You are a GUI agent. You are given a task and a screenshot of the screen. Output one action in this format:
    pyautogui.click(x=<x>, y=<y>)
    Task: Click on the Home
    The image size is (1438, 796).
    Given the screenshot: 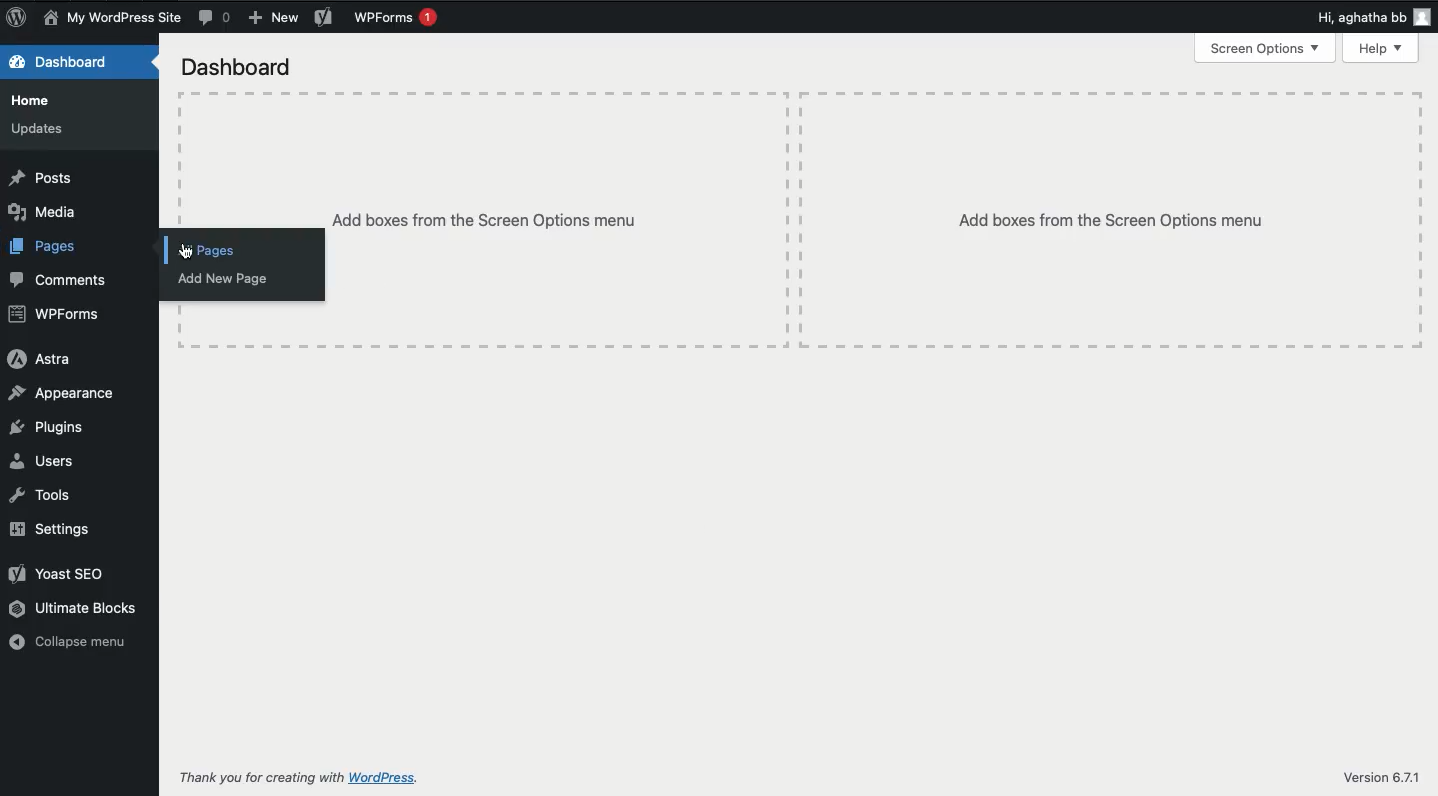 What is the action you would take?
    pyautogui.click(x=34, y=101)
    